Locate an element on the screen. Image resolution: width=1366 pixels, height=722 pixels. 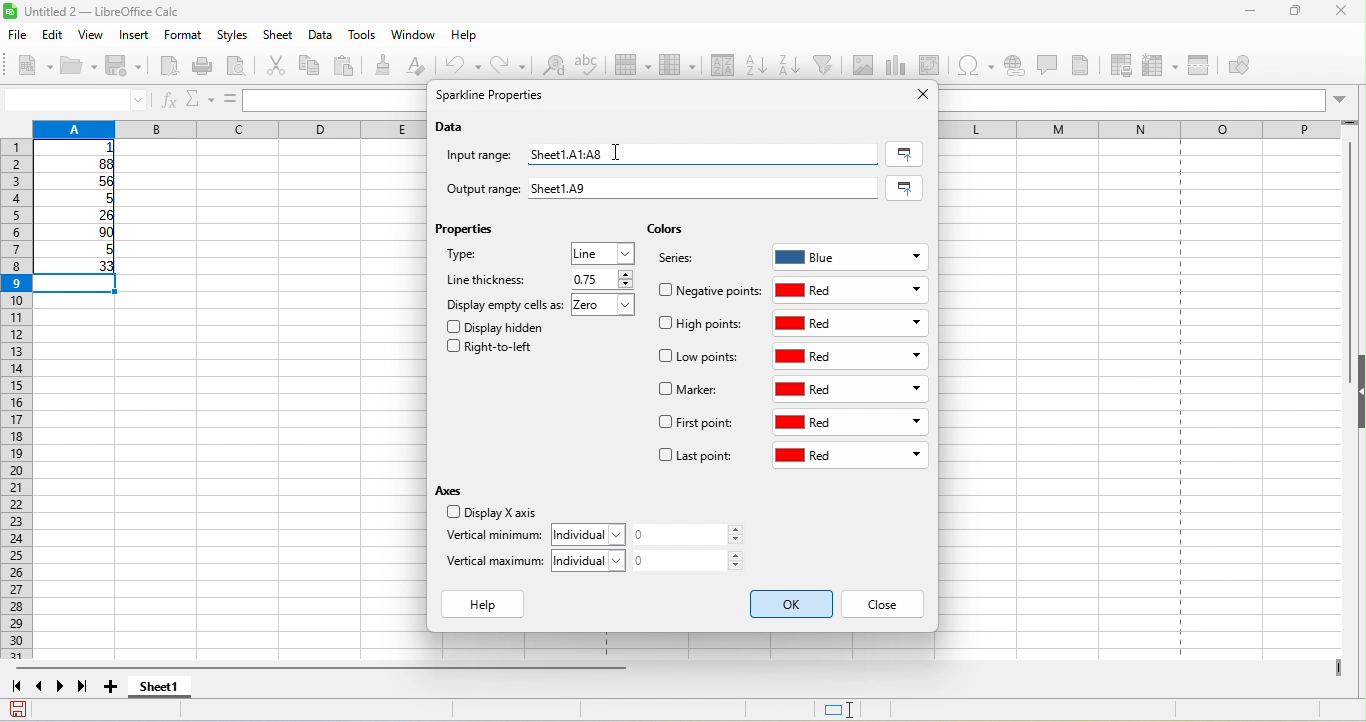
find and replace is located at coordinates (550, 68).